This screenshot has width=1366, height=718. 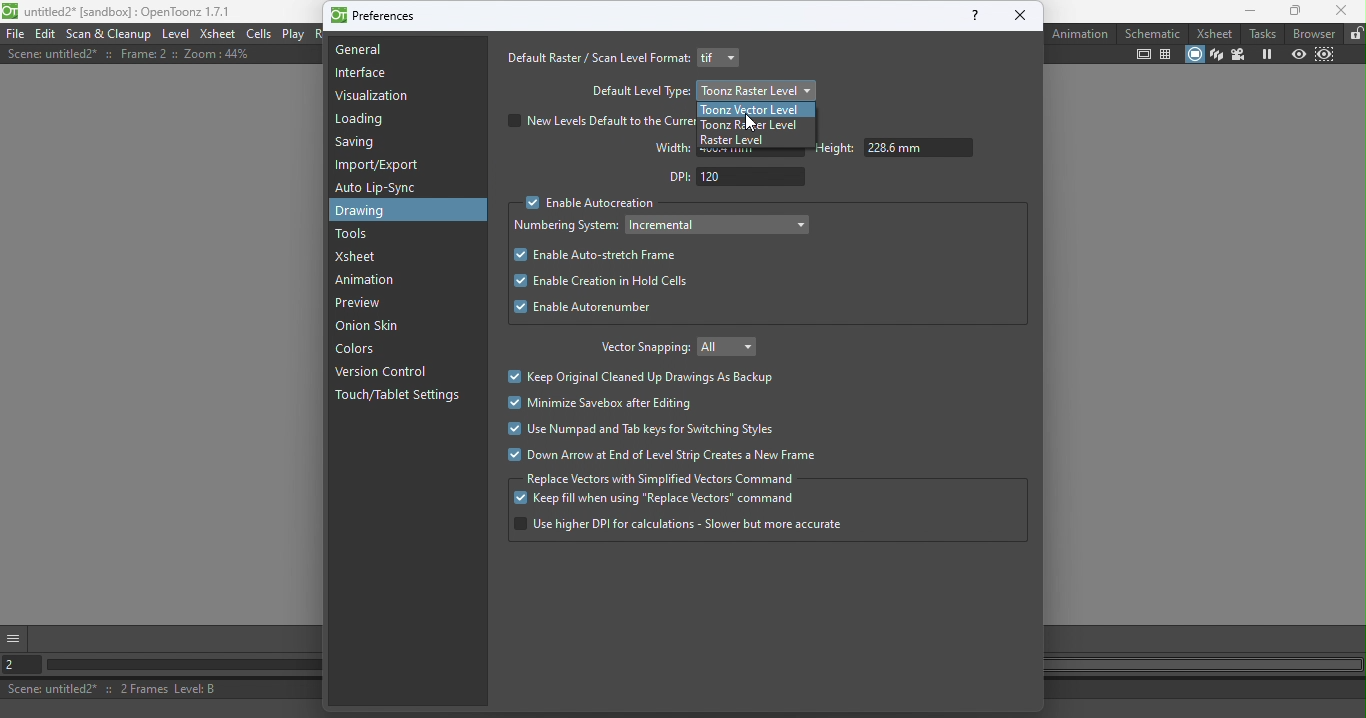 I want to click on Scene: untitled2* :: Frame: 2 i: Zoom: 44%, so click(x=129, y=54).